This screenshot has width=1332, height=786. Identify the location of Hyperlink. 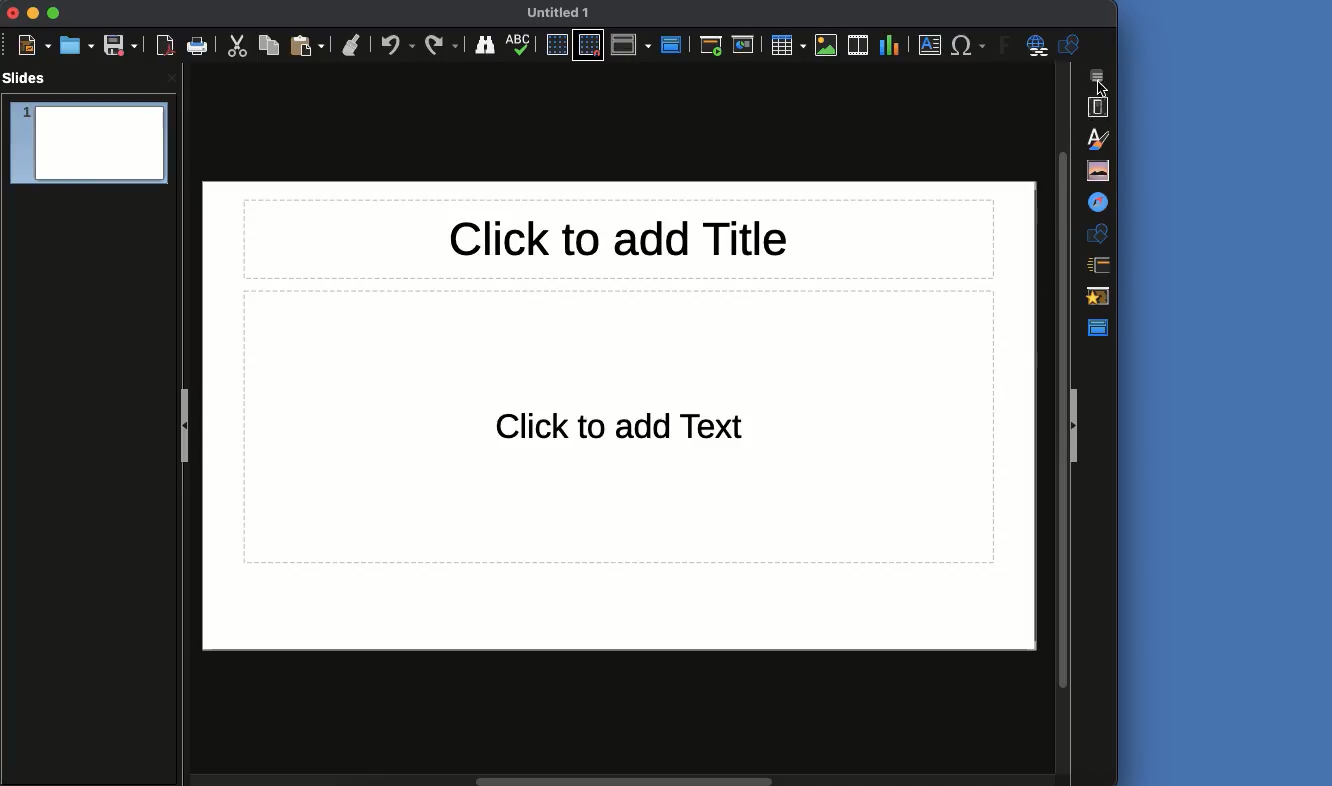
(1034, 48).